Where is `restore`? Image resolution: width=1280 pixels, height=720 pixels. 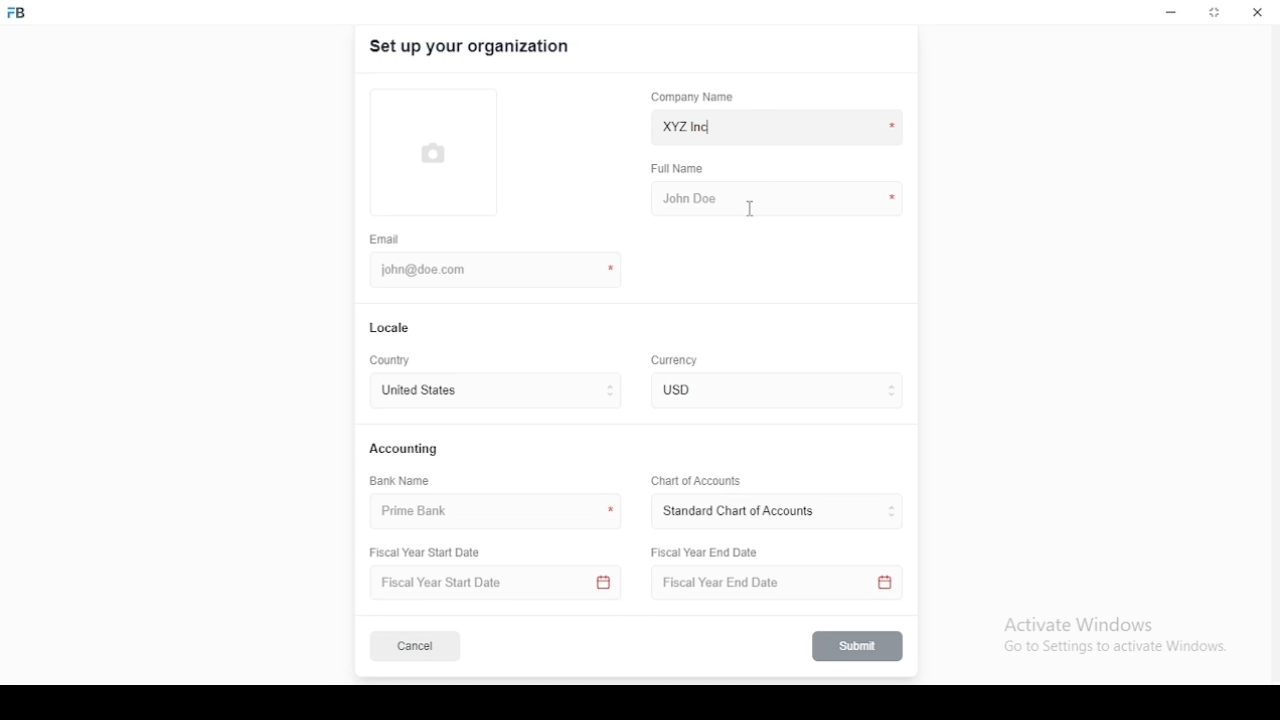 restore is located at coordinates (1216, 14).